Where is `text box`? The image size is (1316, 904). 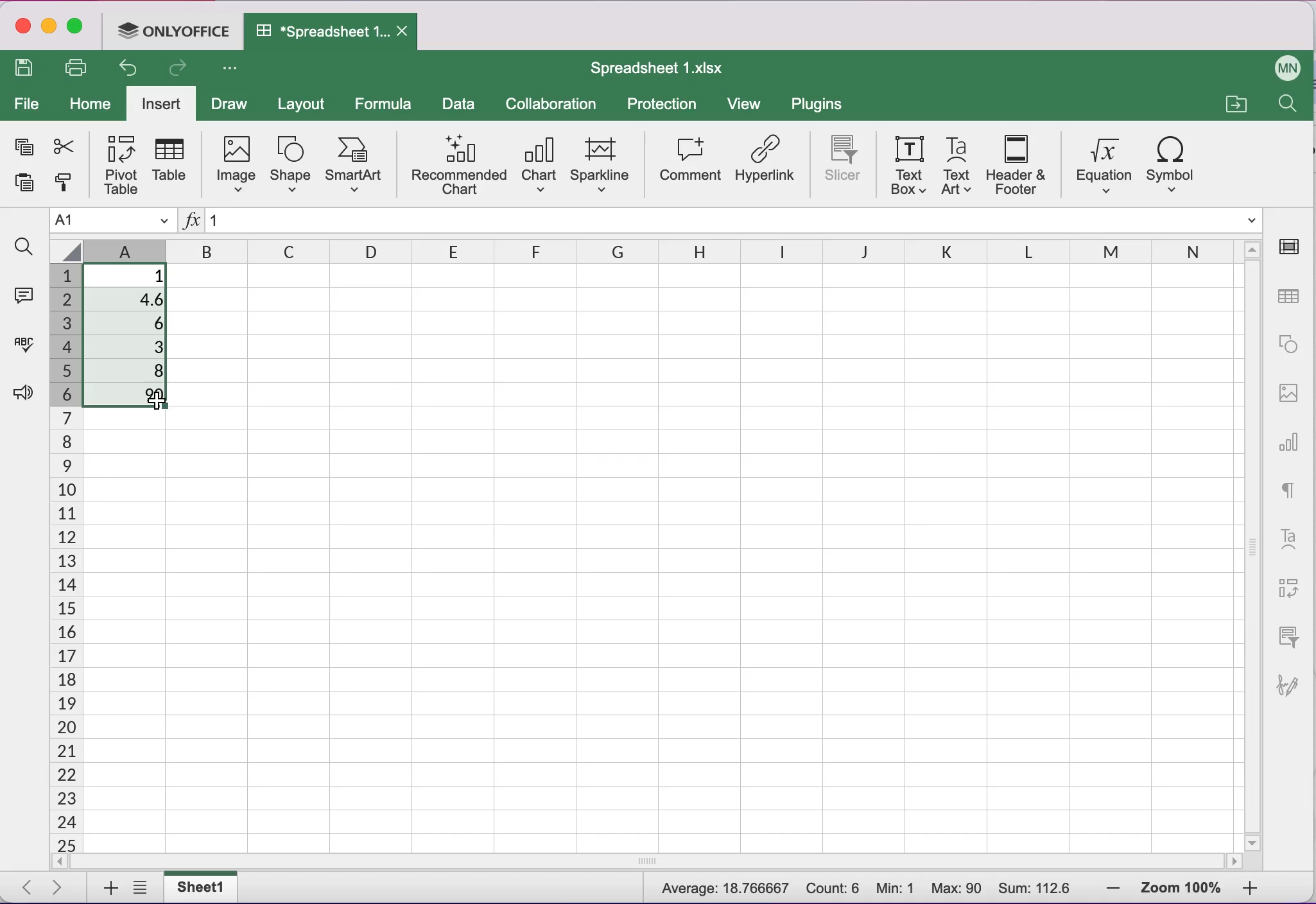 text box is located at coordinates (906, 164).